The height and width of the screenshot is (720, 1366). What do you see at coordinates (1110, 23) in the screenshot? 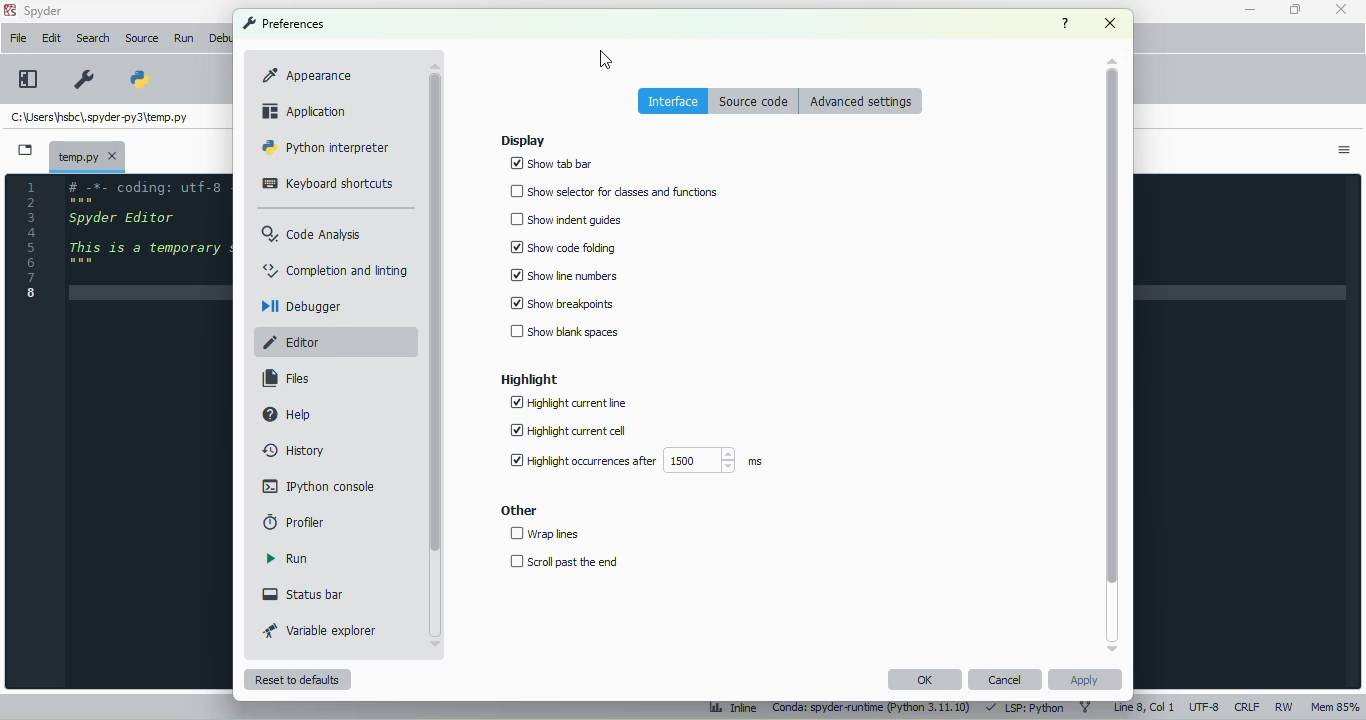
I see `close` at bounding box center [1110, 23].